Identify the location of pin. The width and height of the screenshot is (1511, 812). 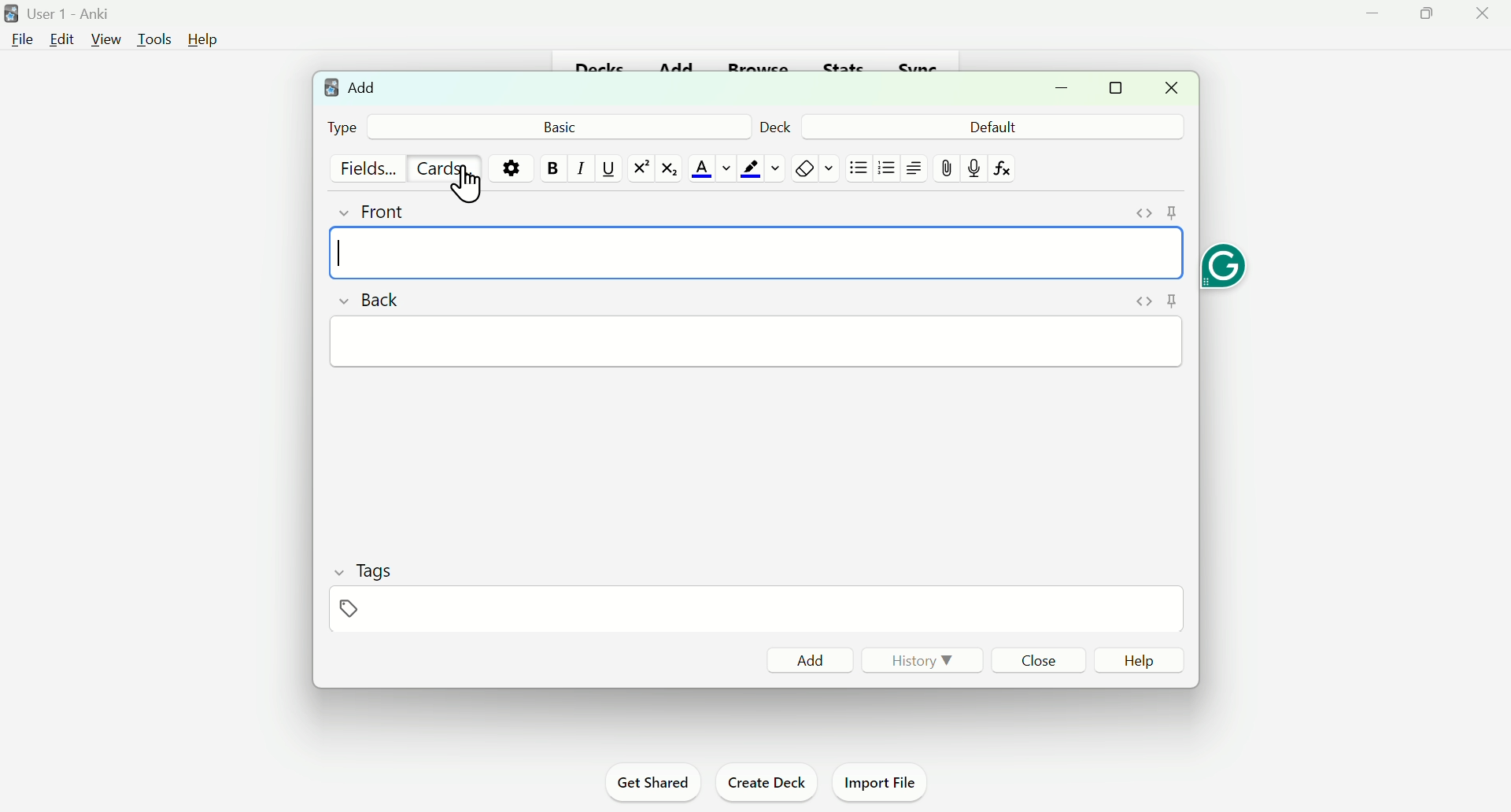
(1173, 213).